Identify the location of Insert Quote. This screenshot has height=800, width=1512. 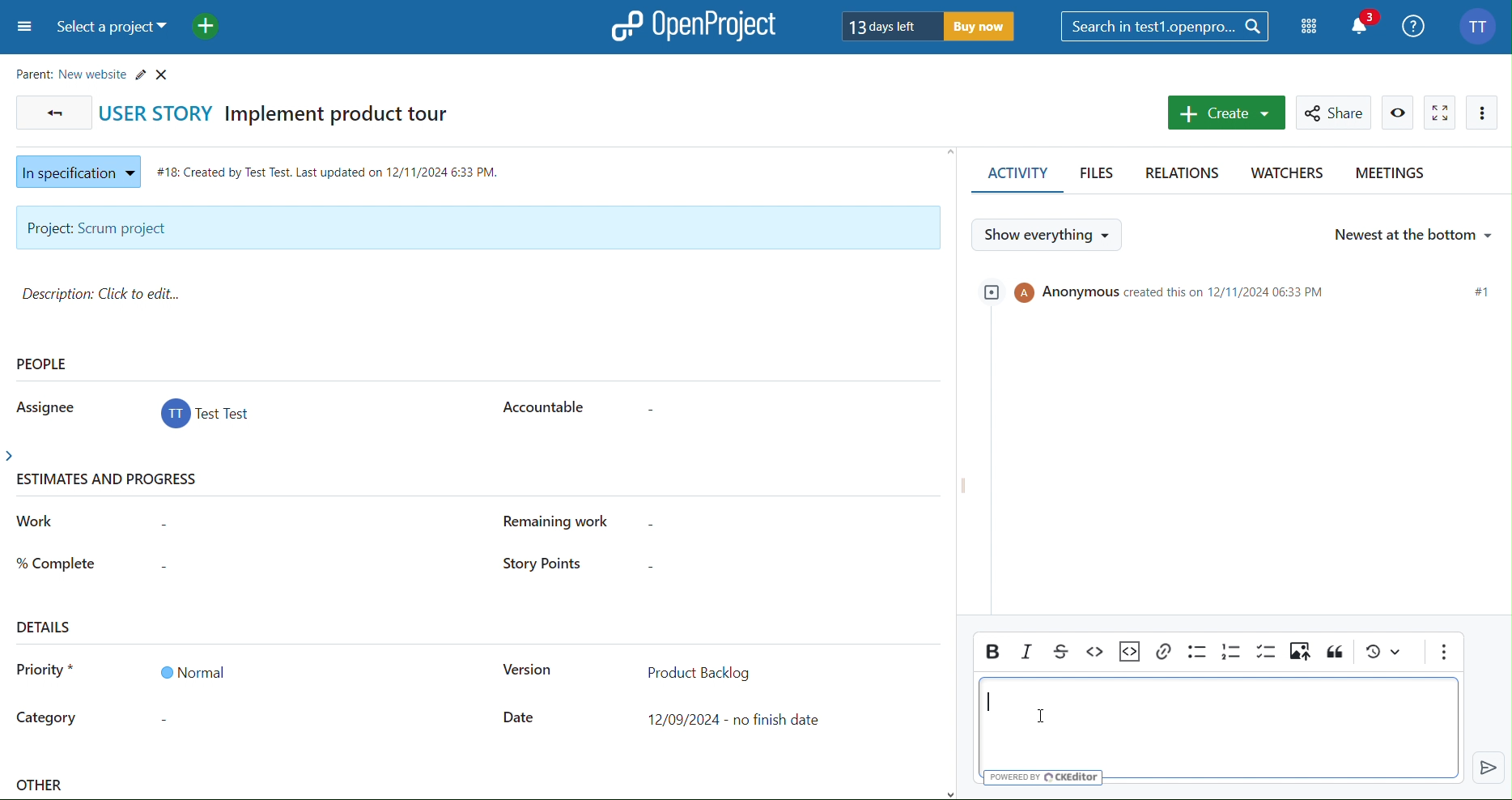
(1336, 653).